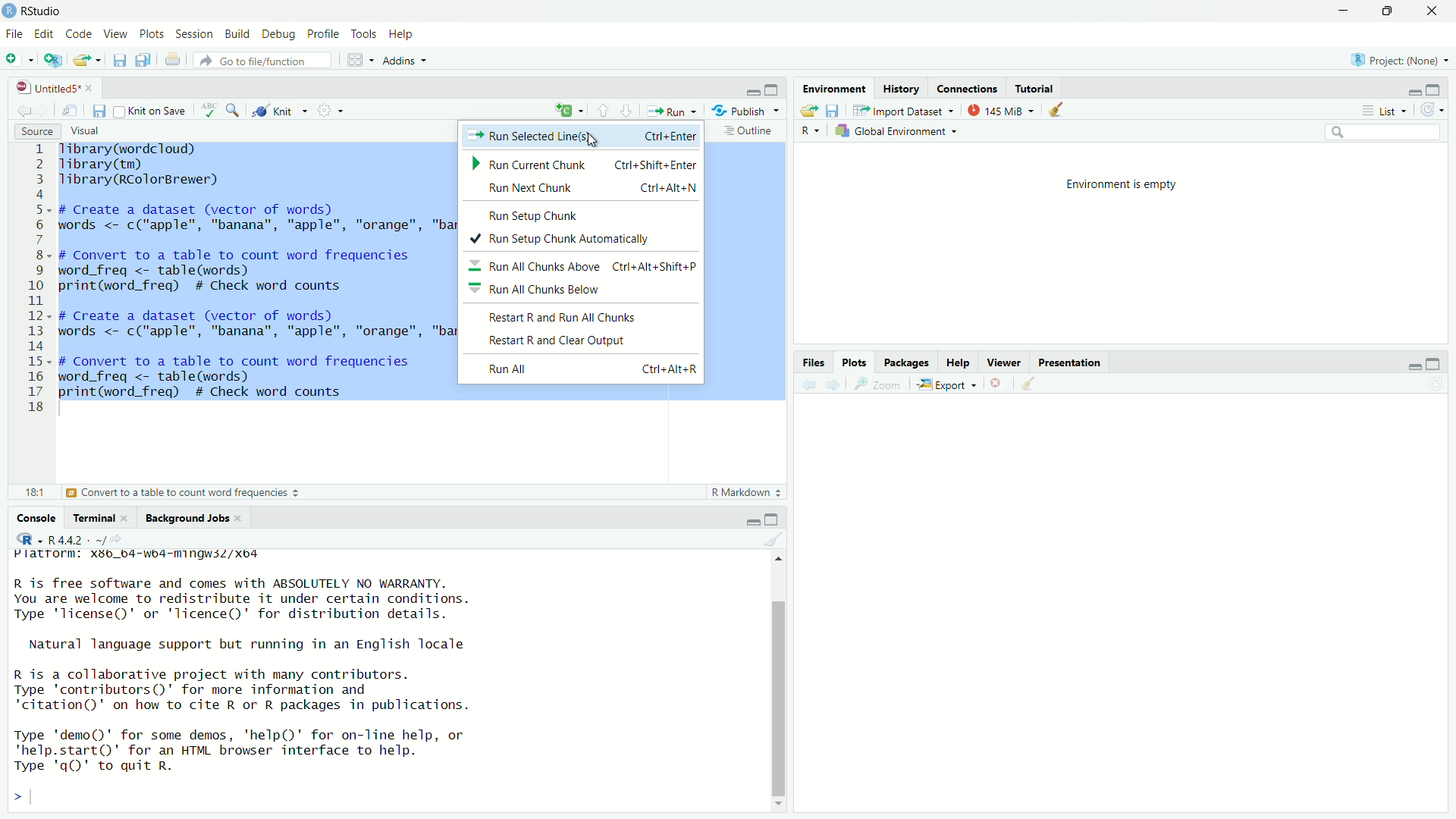  I want to click on Files, so click(819, 363).